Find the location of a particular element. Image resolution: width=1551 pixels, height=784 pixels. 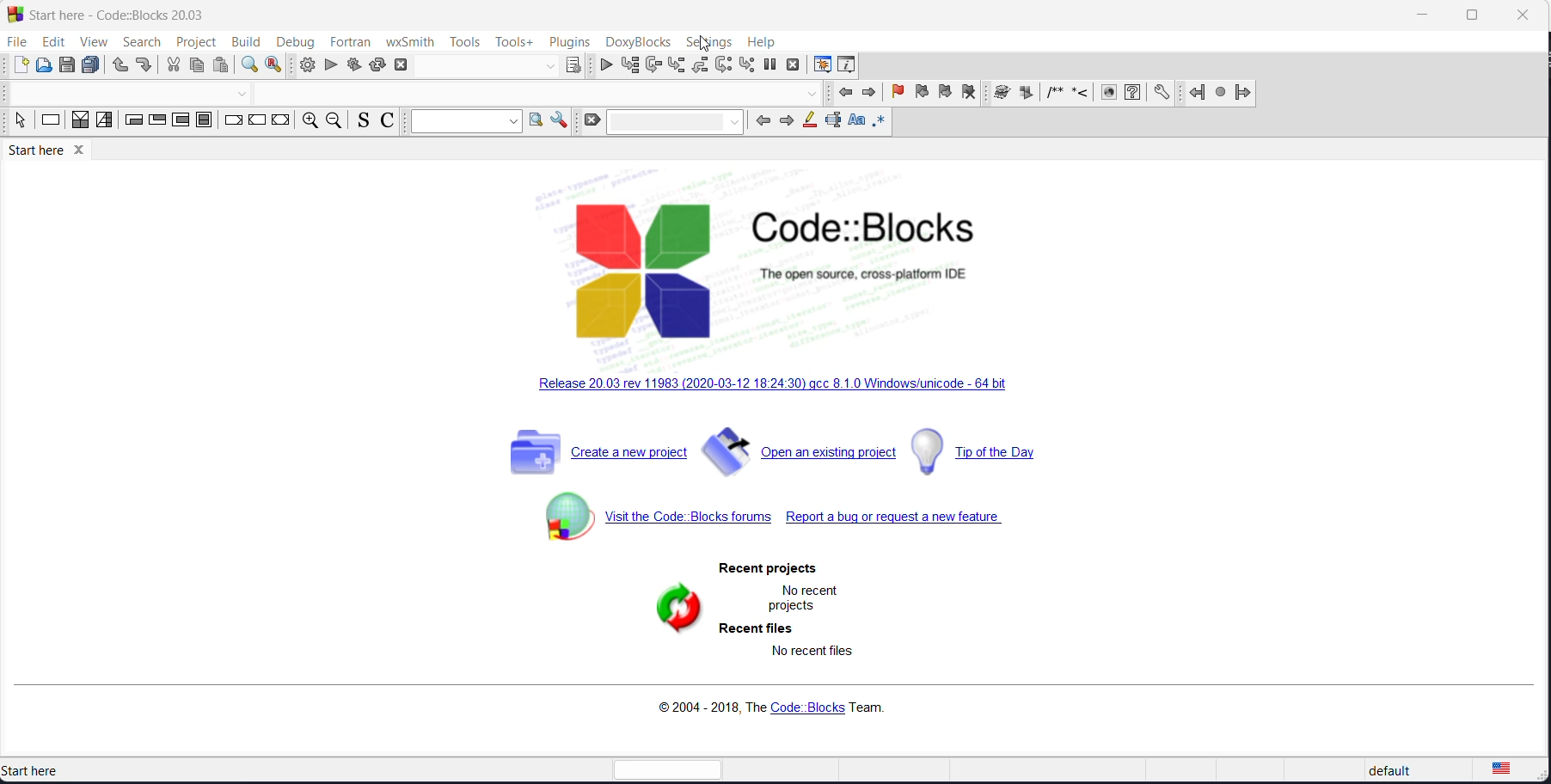

debug is located at coordinates (294, 39).